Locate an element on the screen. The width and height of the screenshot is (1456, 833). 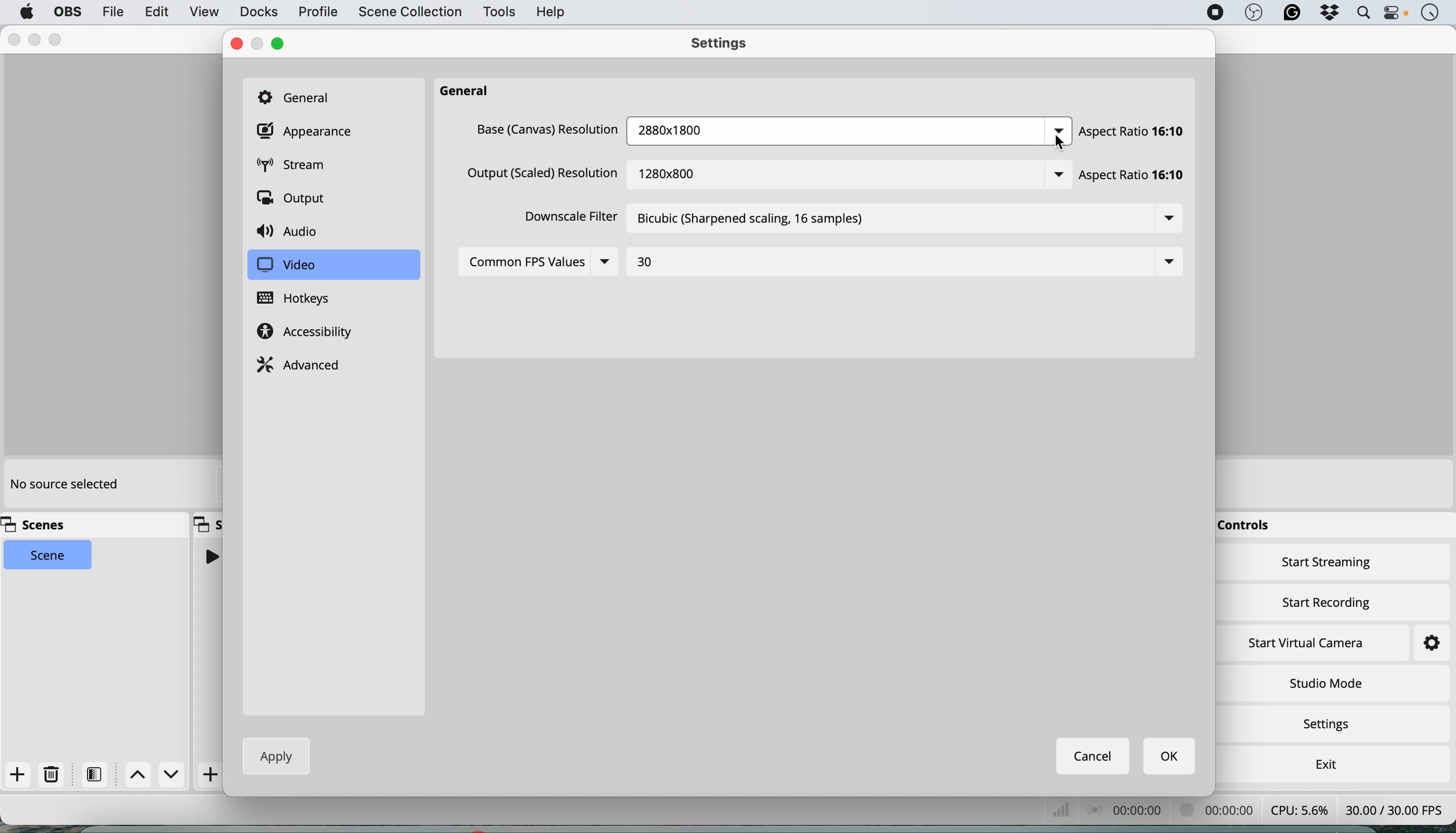
List item is located at coordinates (1164, 262).